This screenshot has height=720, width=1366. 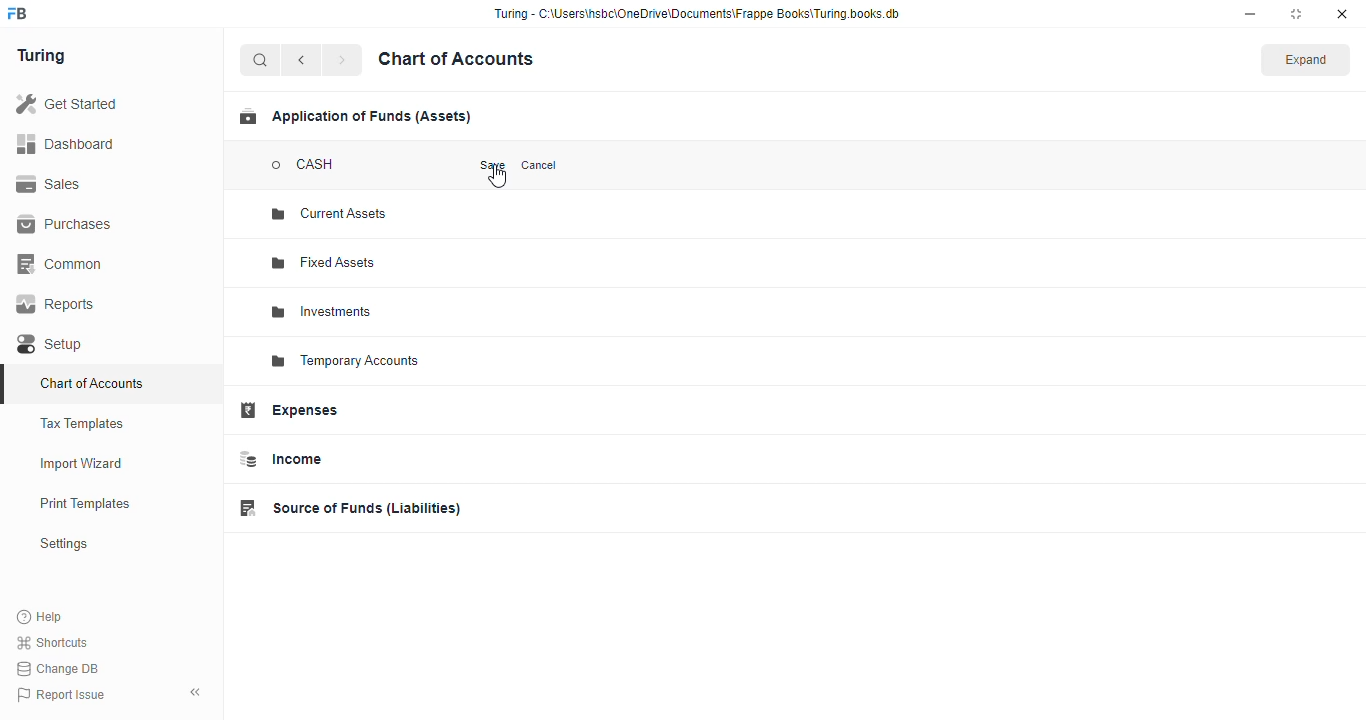 What do you see at coordinates (342, 60) in the screenshot?
I see `forward` at bounding box center [342, 60].